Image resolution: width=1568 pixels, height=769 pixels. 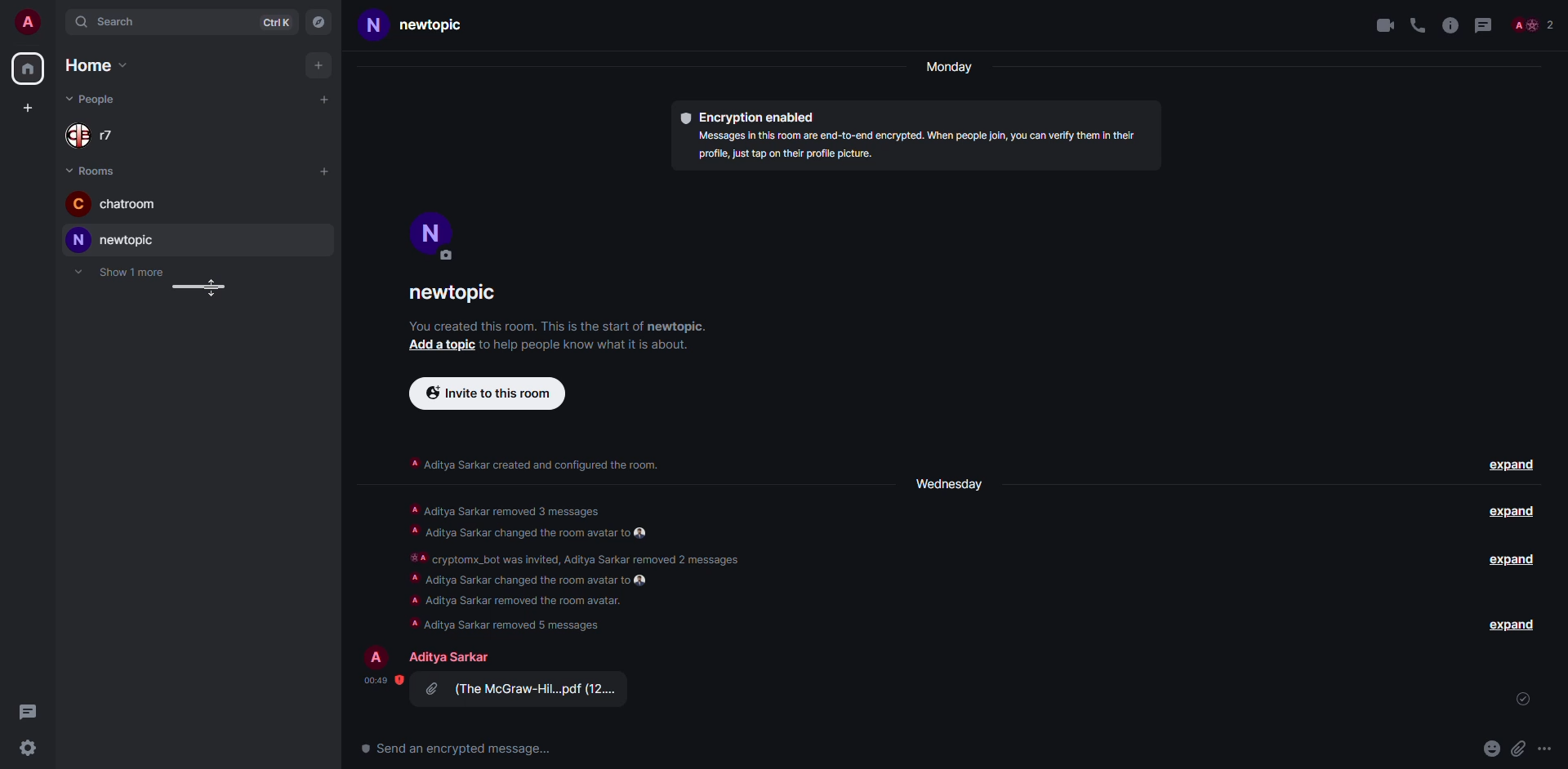 What do you see at coordinates (572, 326) in the screenshot?
I see `‘You created this room. This is the start of newtopic.` at bounding box center [572, 326].